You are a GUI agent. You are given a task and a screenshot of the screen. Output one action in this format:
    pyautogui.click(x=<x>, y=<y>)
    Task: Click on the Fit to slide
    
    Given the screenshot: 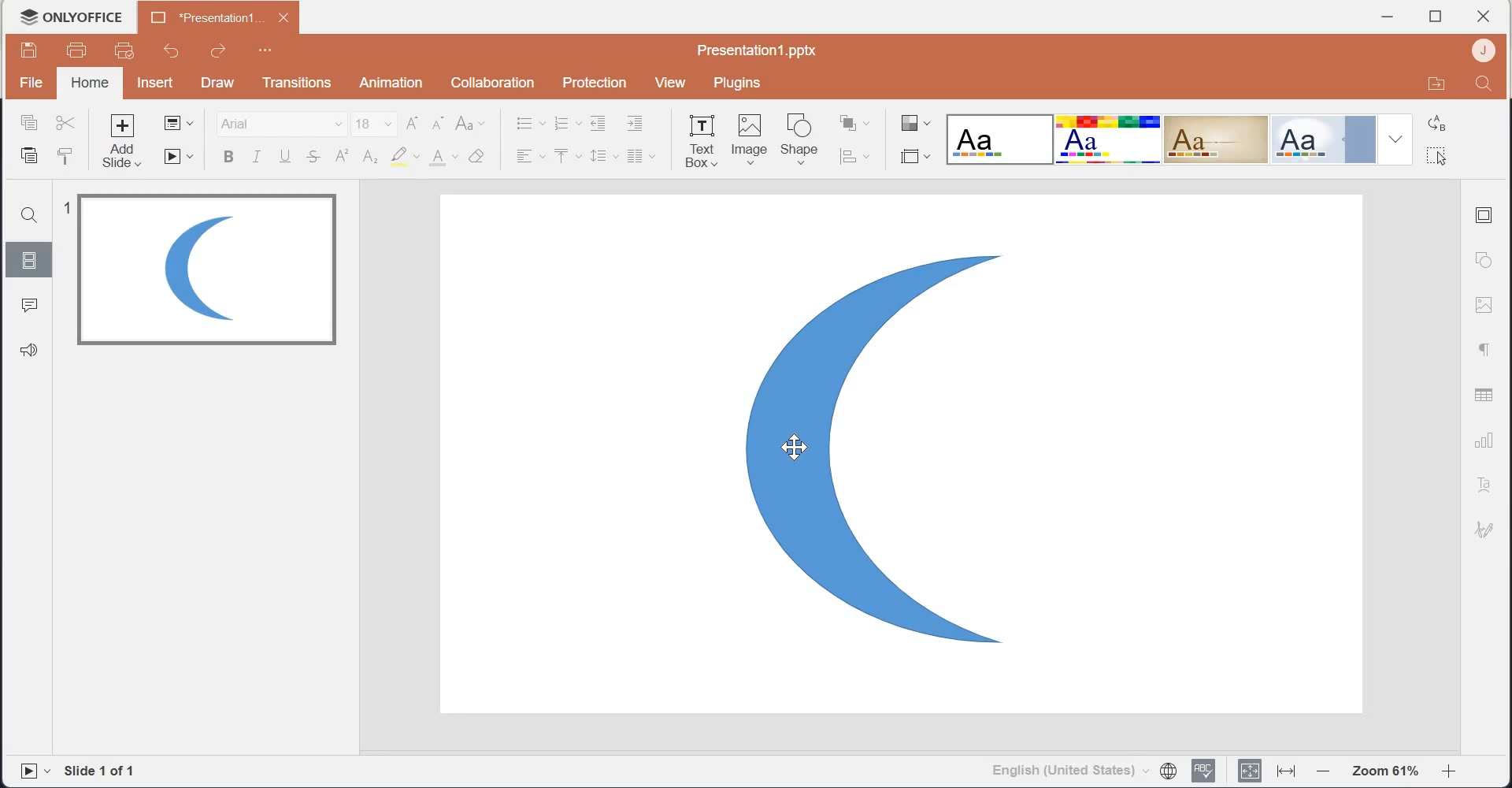 What is the action you would take?
    pyautogui.click(x=1248, y=772)
    